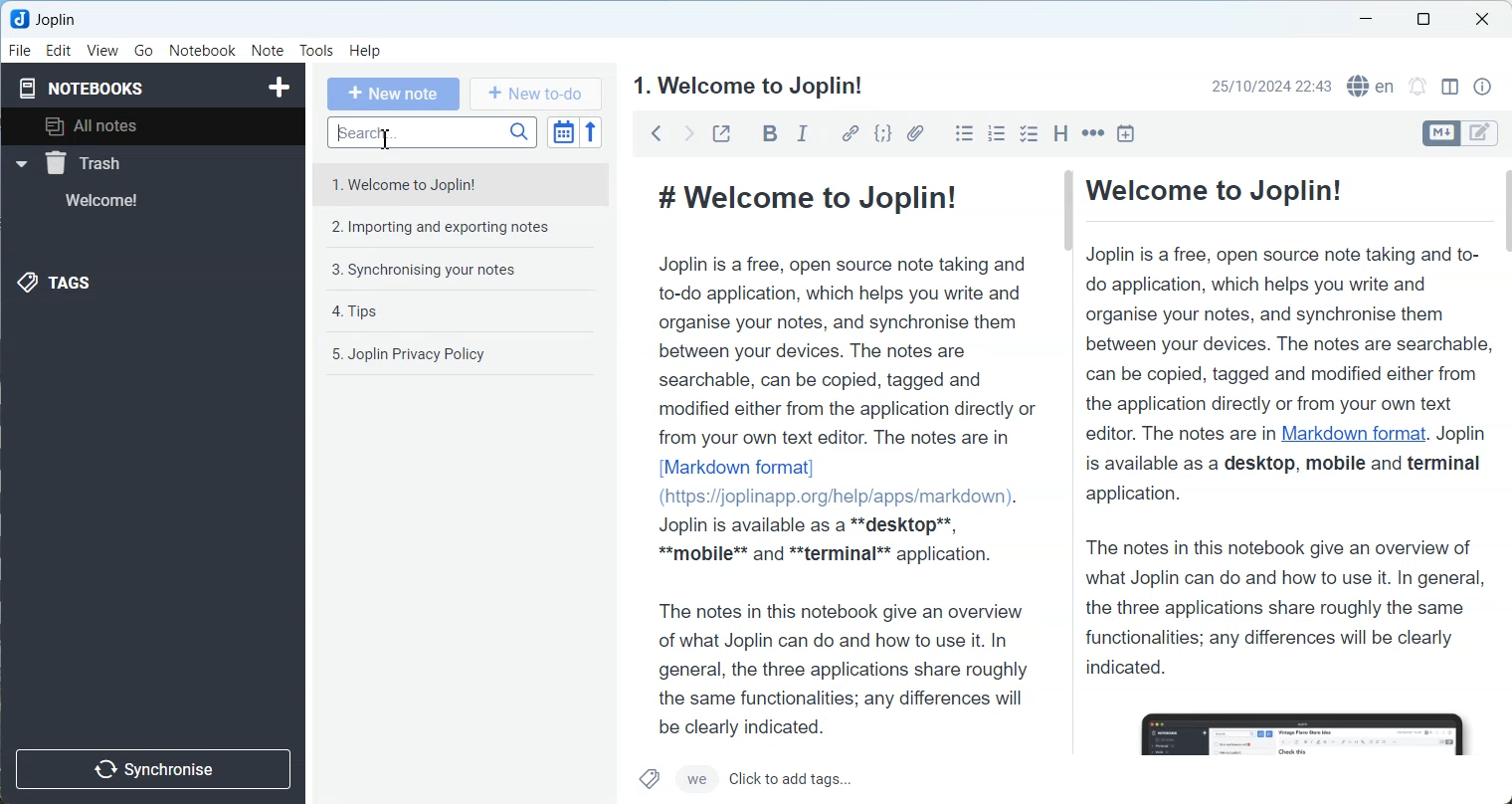  What do you see at coordinates (102, 51) in the screenshot?
I see `View` at bounding box center [102, 51].